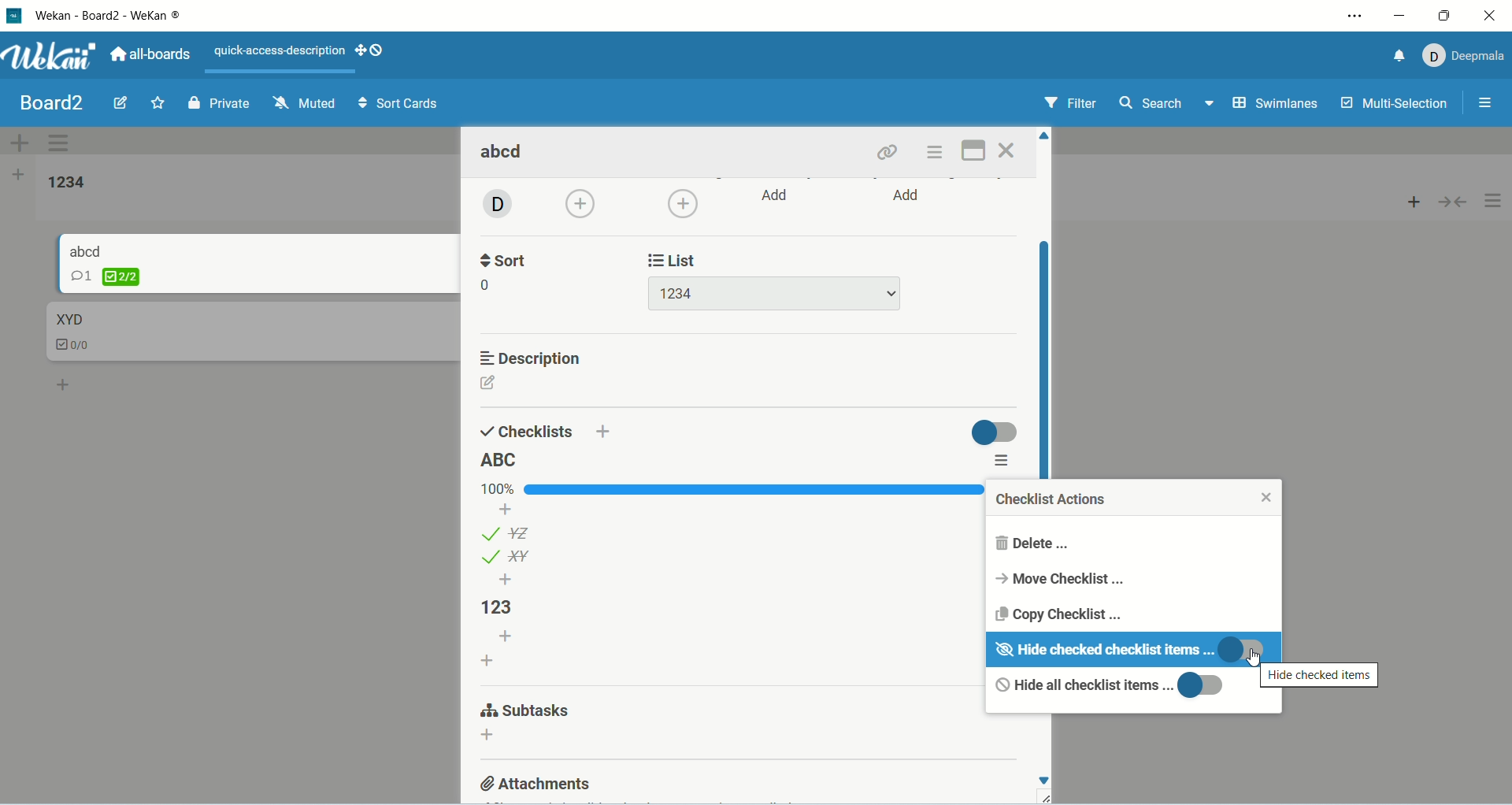  I want to click on edit, so click(489, 383).